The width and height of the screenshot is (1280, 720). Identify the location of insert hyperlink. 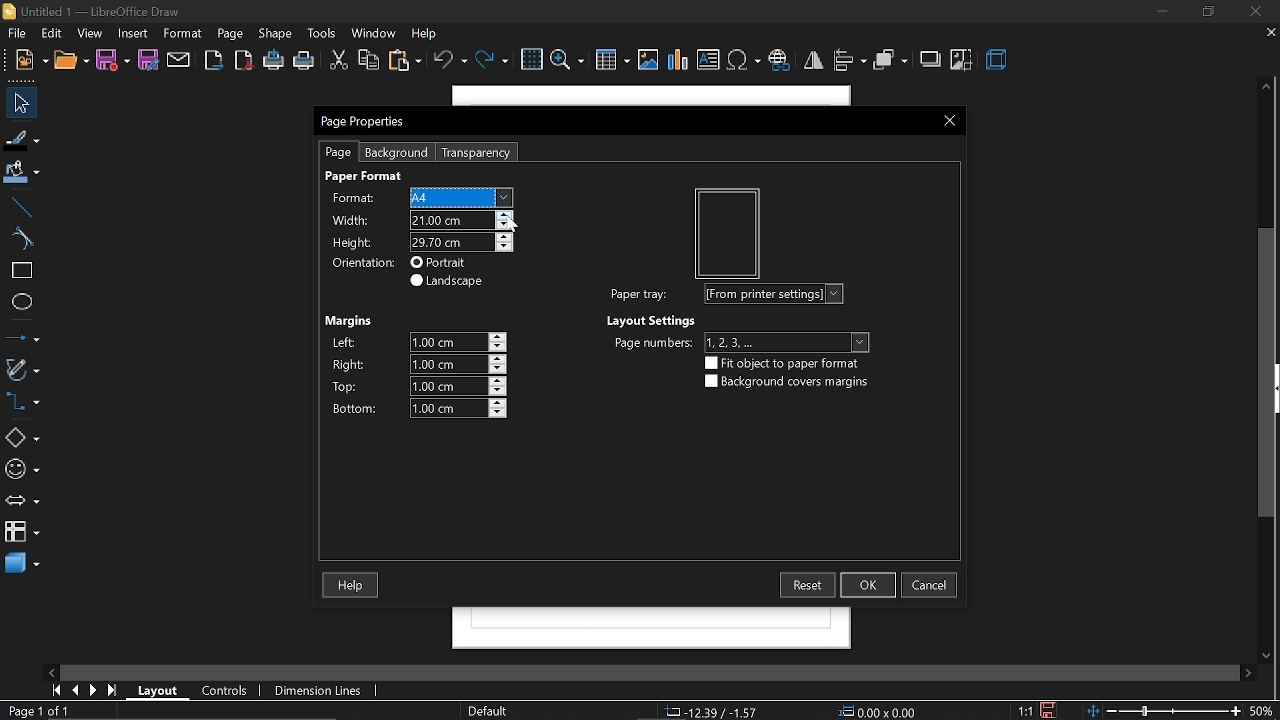
(782, 59).